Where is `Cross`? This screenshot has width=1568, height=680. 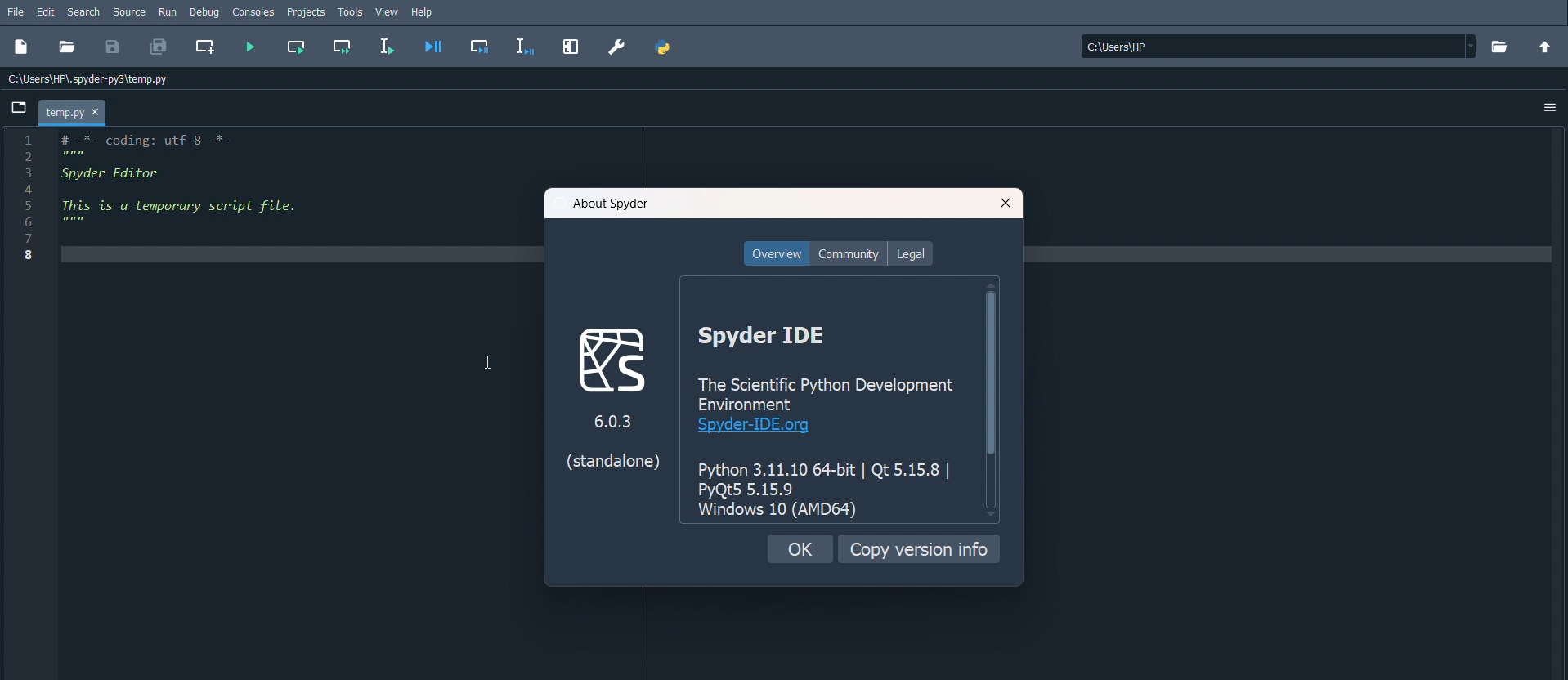 Cross is located at coordinates (1007, 203).